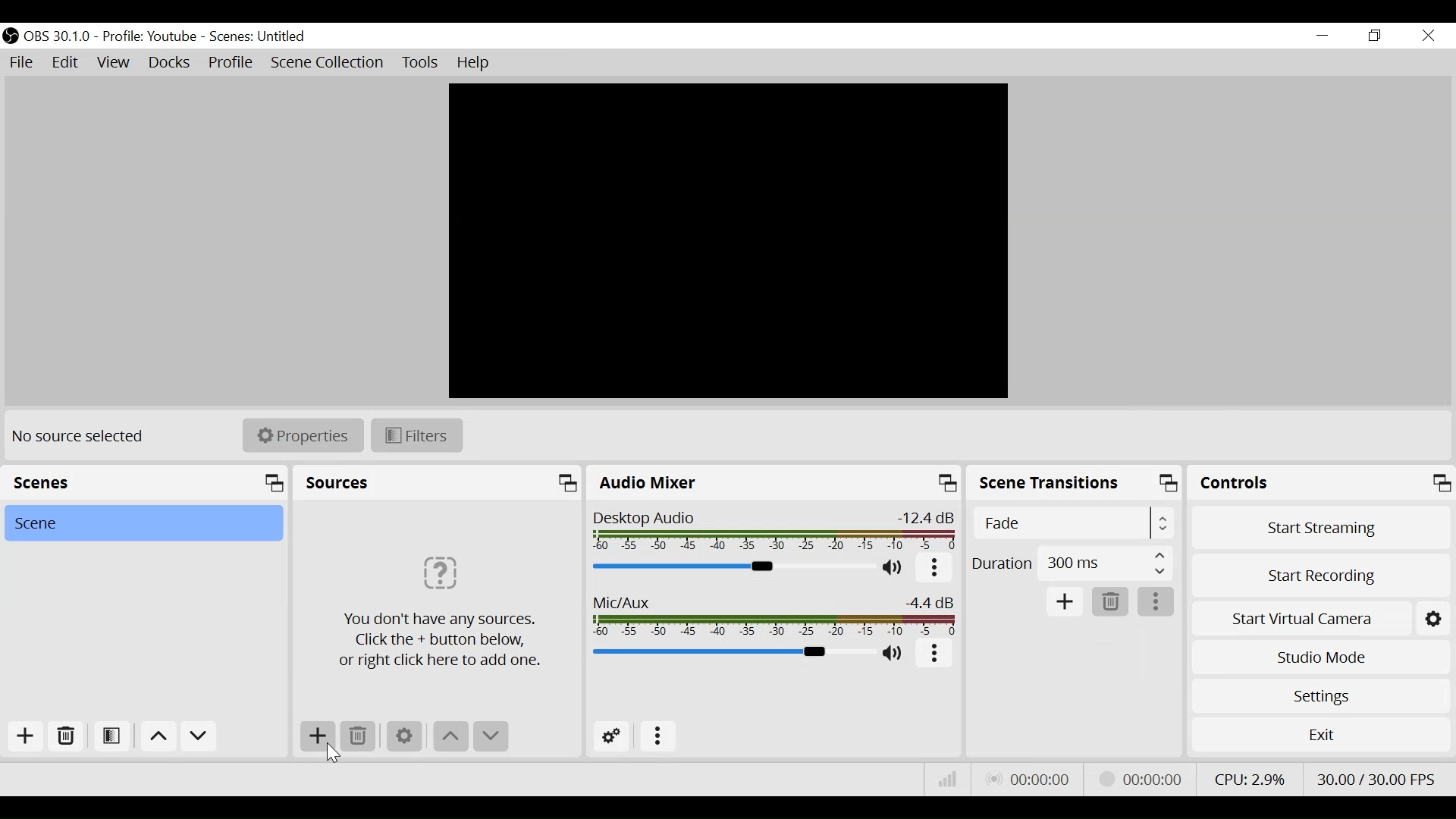 The height and width of the screenshot is (819, 1456). I want to click on move down, so click(201, 737).